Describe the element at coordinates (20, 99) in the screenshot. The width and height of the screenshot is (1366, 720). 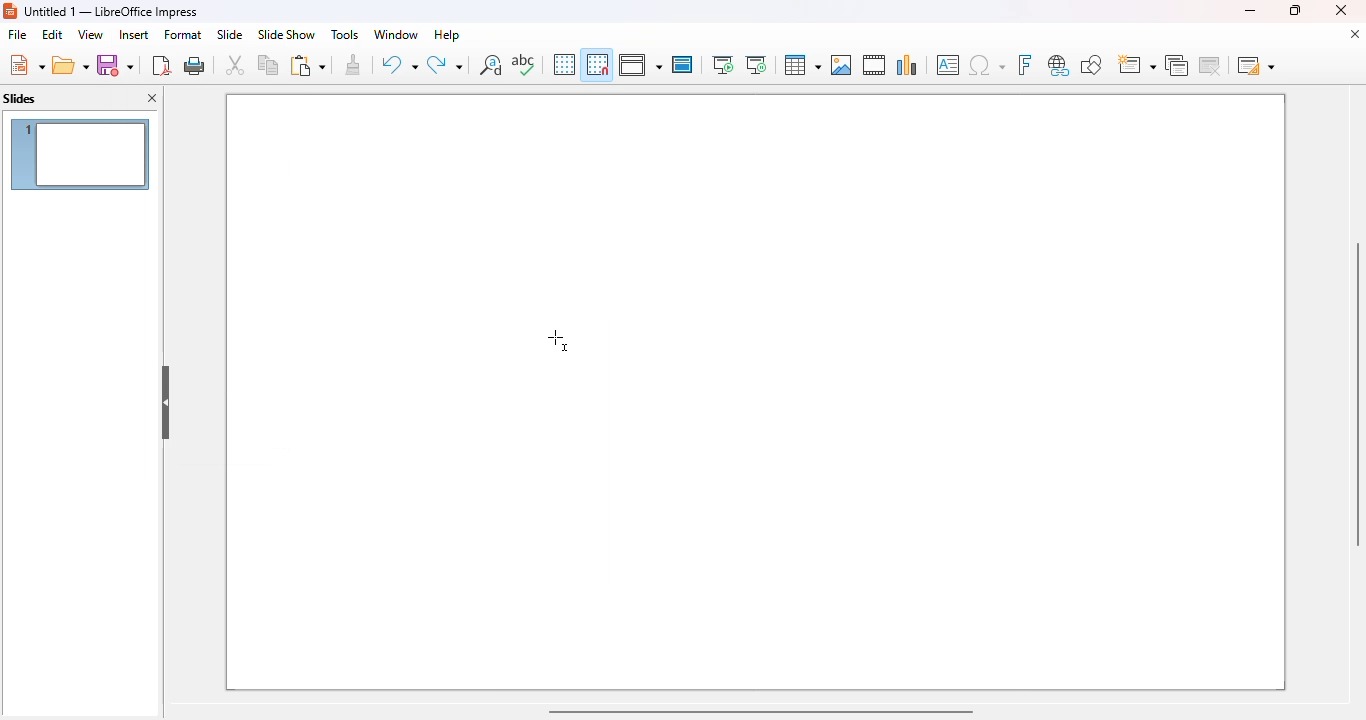
I see `slides` at that location.